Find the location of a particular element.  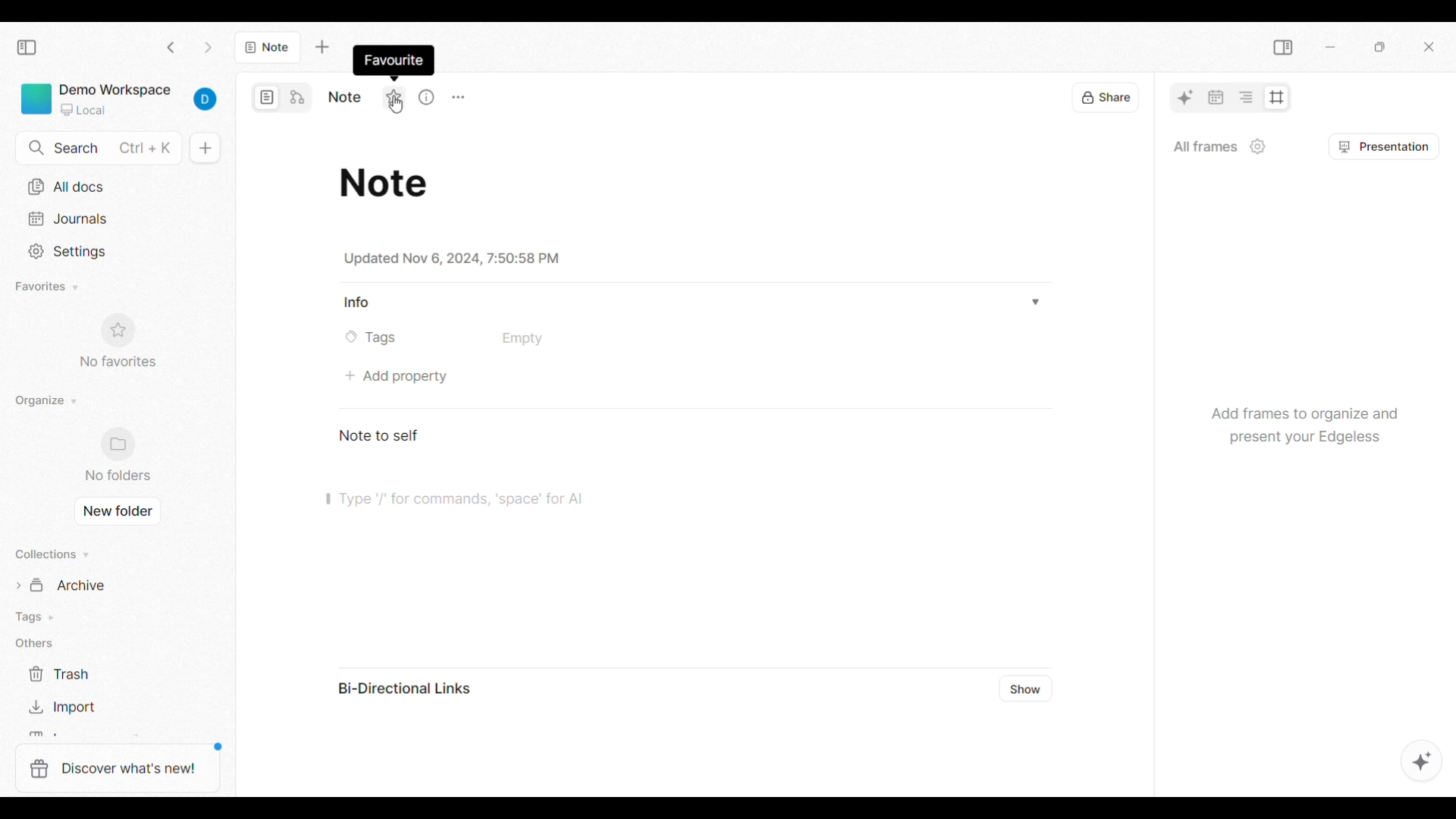

Discover what's new is located at coordinates (118, 769).